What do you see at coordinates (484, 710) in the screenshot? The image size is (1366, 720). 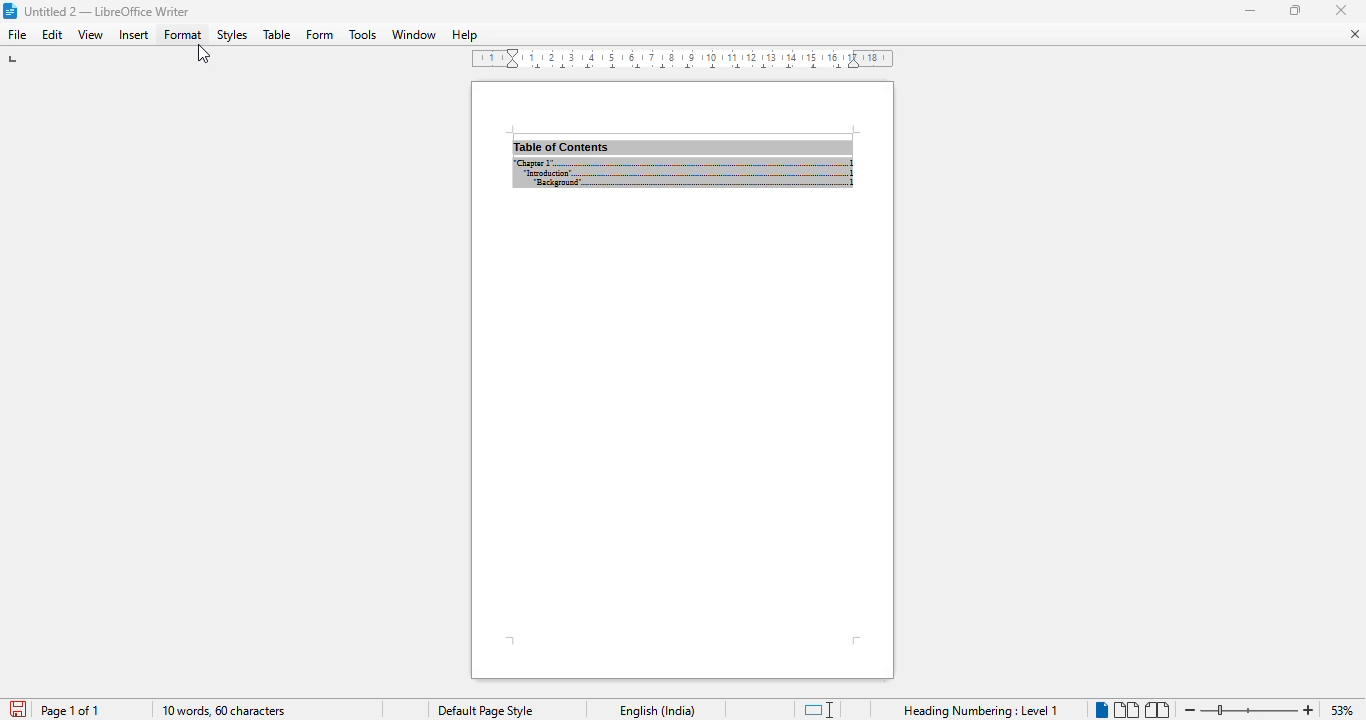 I see `page style` at bounding box center [484, 710].